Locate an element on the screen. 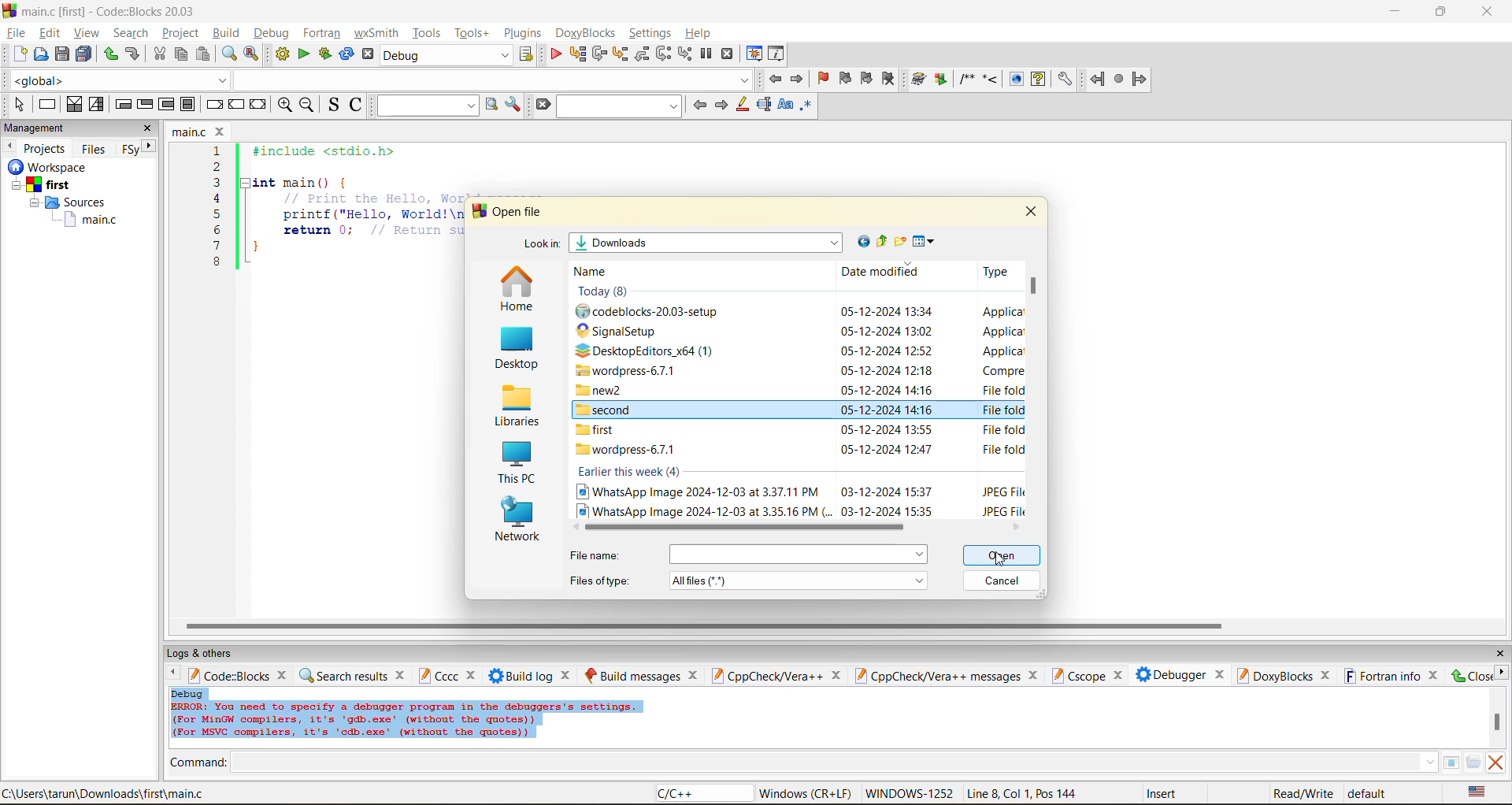  up one level is located at coordinates (881, 242).